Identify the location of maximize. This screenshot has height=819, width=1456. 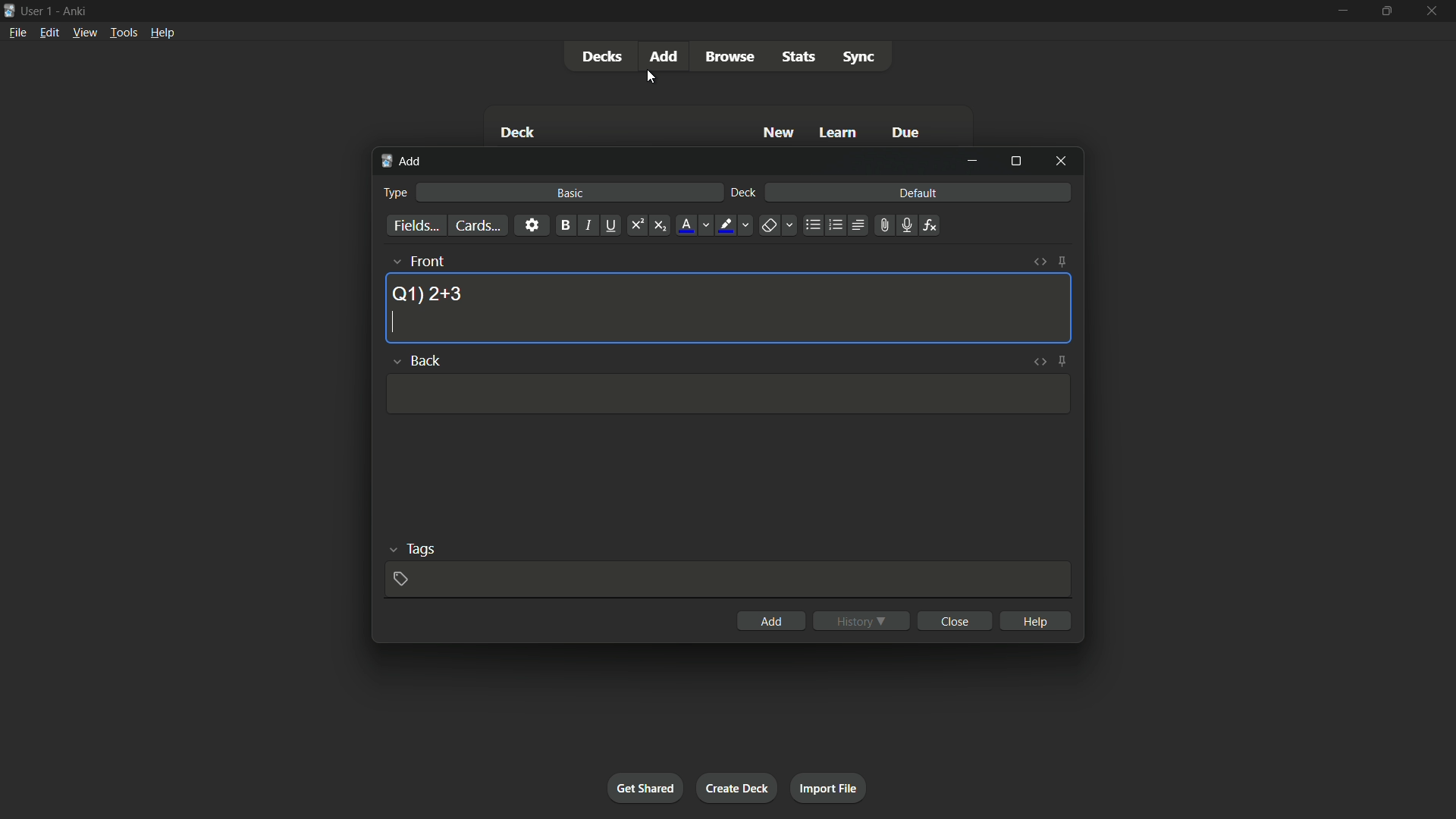
(1015, 161).